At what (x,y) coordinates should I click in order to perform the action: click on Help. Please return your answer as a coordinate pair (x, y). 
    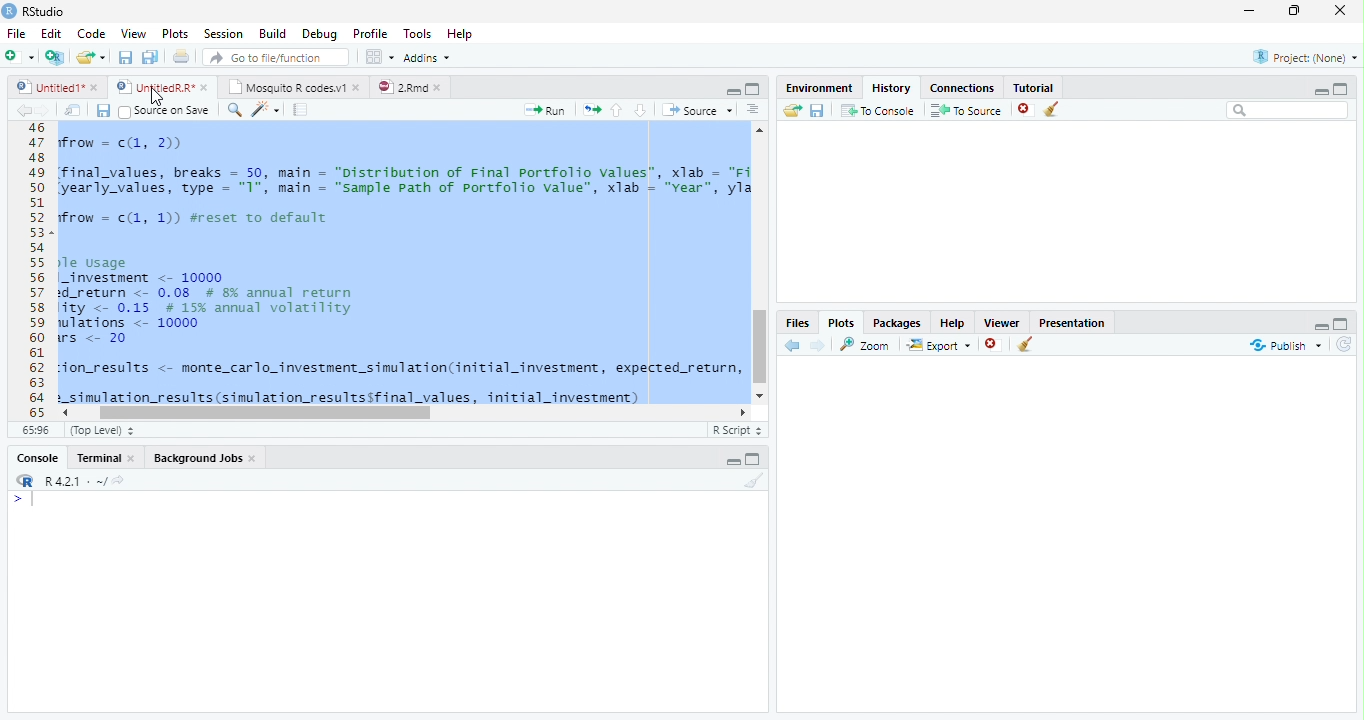
    Looking at the image, I should click on (952, 322).